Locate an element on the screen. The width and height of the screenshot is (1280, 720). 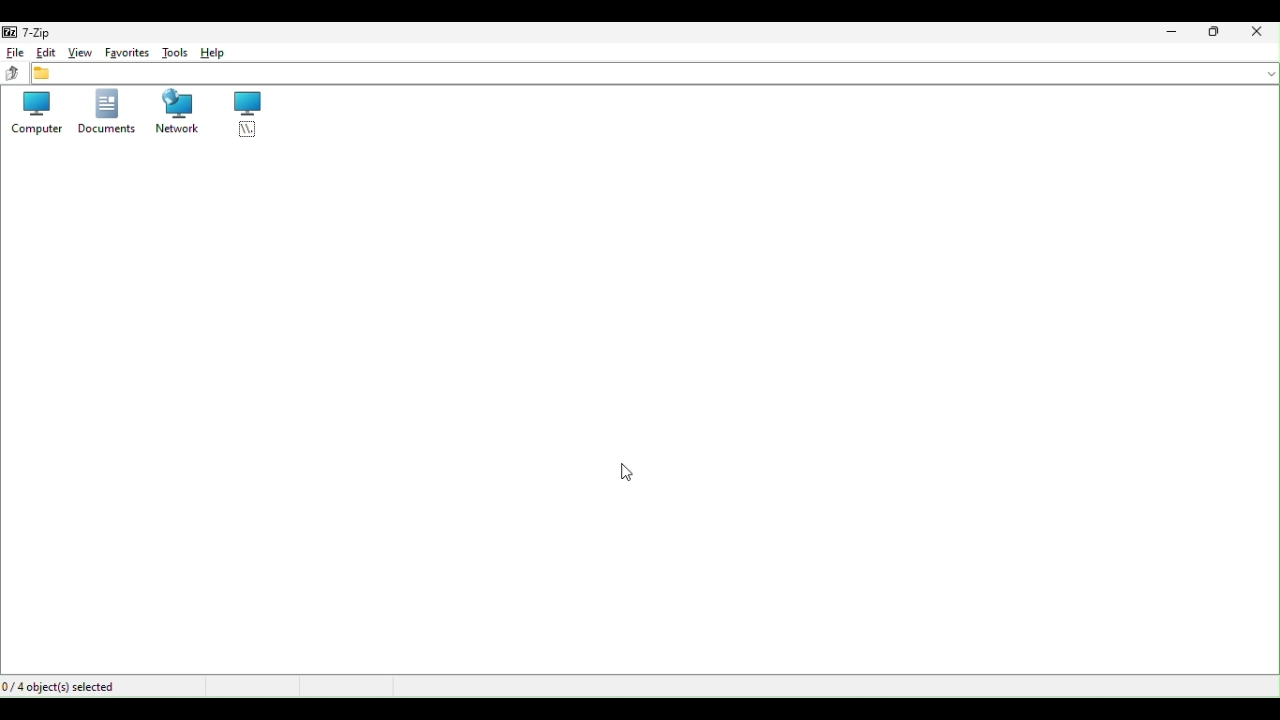
up is located at coordinates (14, 76).